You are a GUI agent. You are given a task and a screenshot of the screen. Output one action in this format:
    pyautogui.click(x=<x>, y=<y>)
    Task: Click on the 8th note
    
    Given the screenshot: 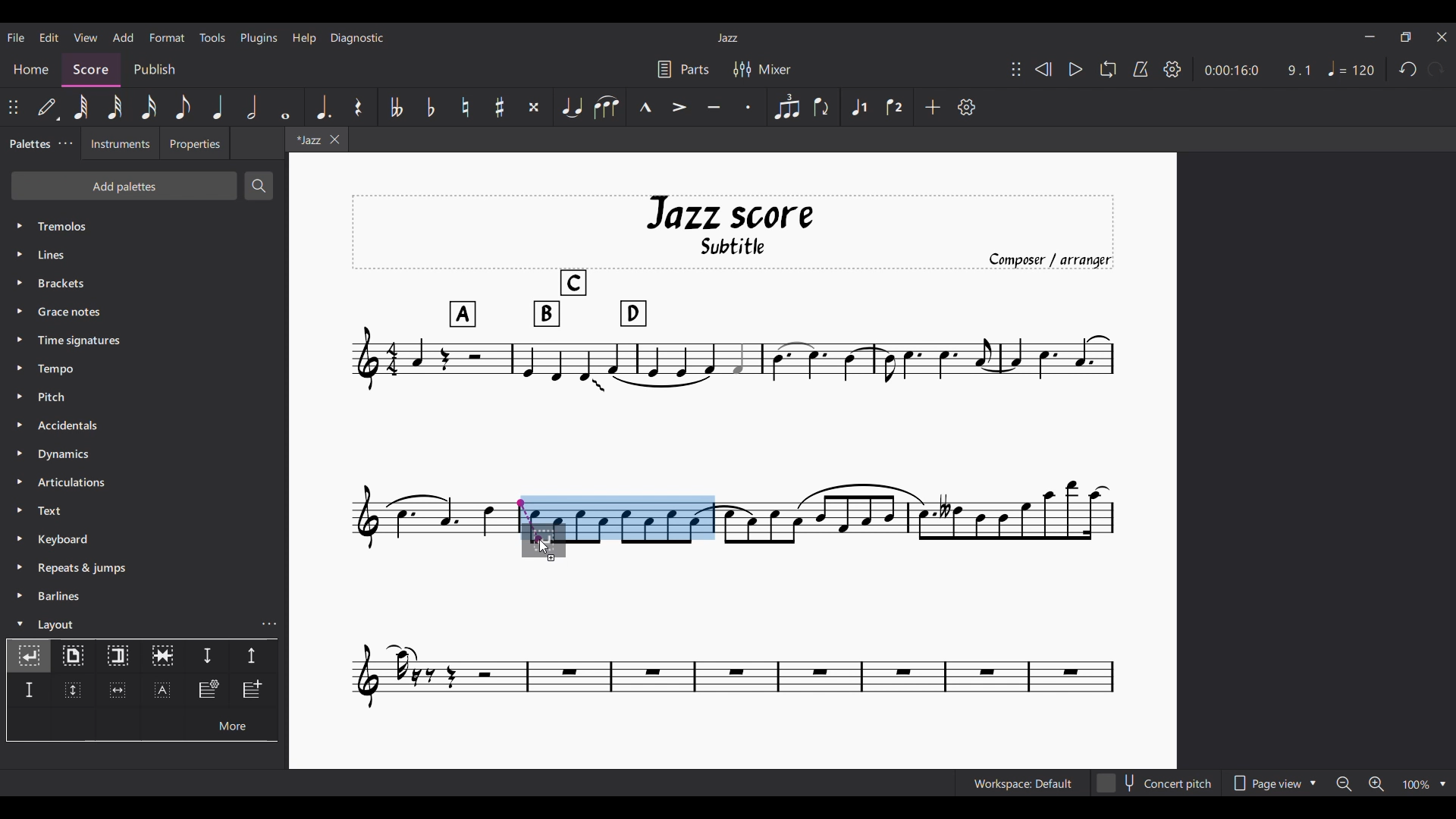 What is the action you would take?
    pyautogui.click(x=184, y=107)
    